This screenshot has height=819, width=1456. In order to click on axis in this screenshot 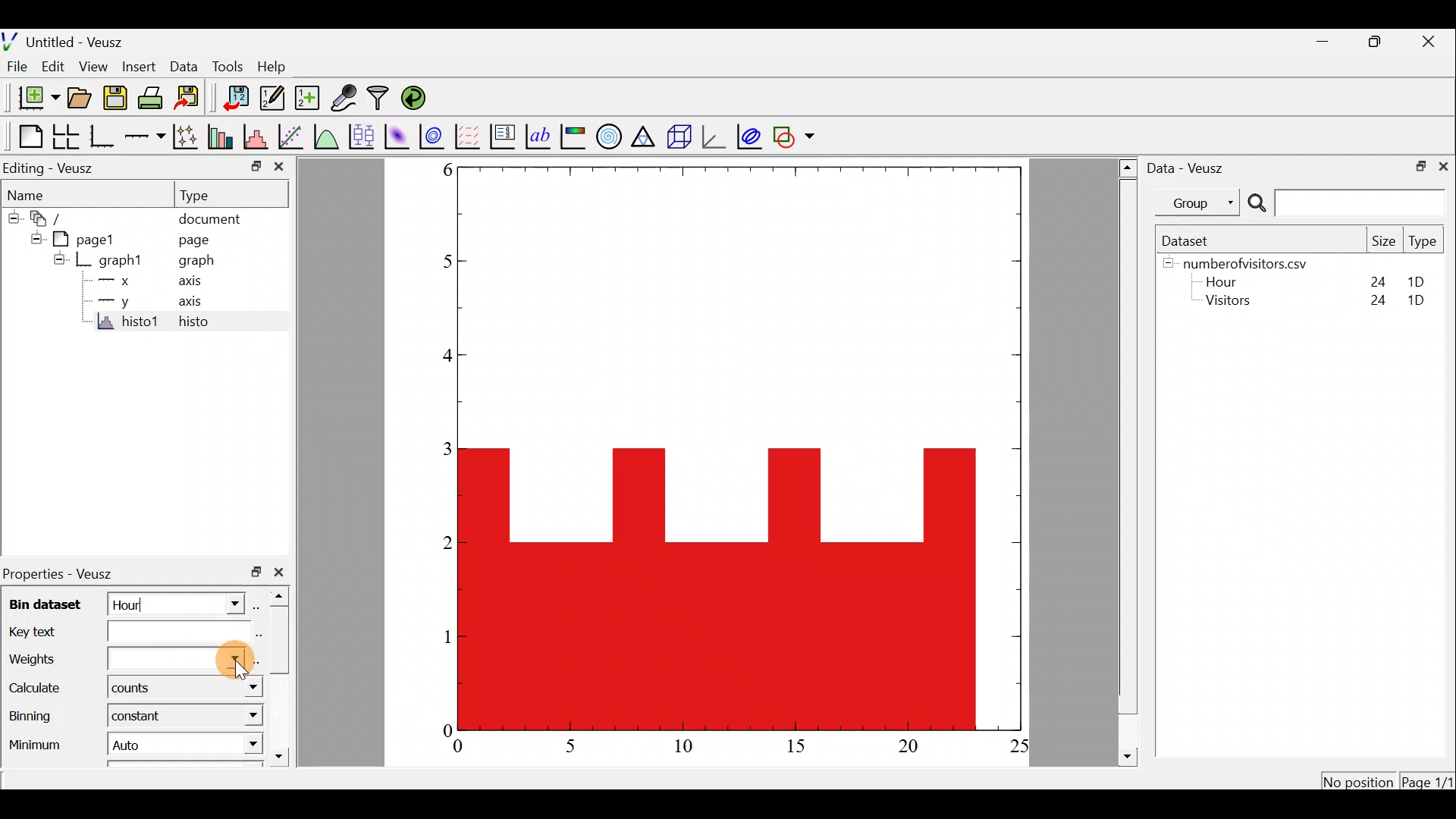, I will do `click(187, 284)`.